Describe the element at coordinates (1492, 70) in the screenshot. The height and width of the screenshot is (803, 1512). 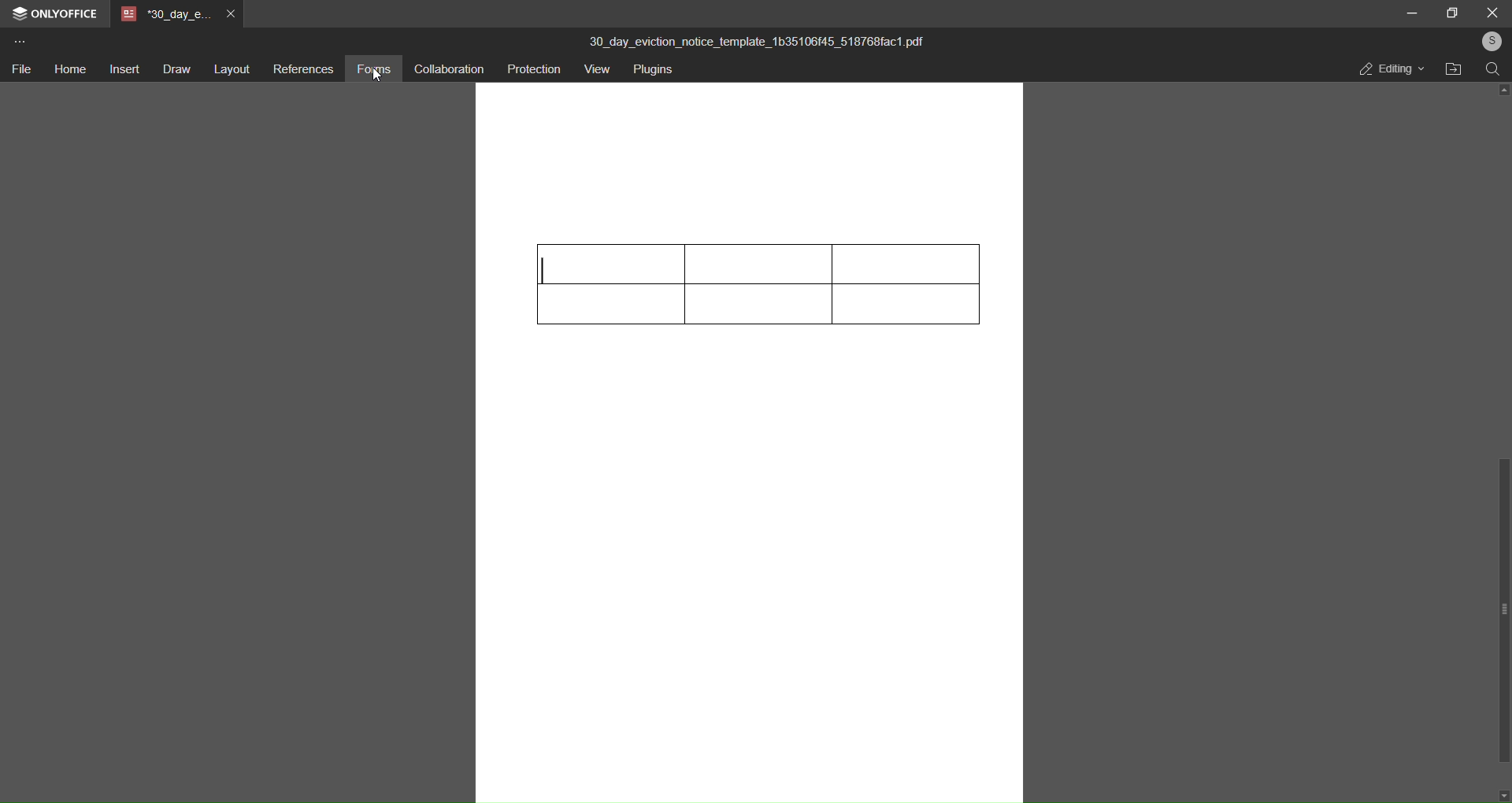
I see `search` at that location.